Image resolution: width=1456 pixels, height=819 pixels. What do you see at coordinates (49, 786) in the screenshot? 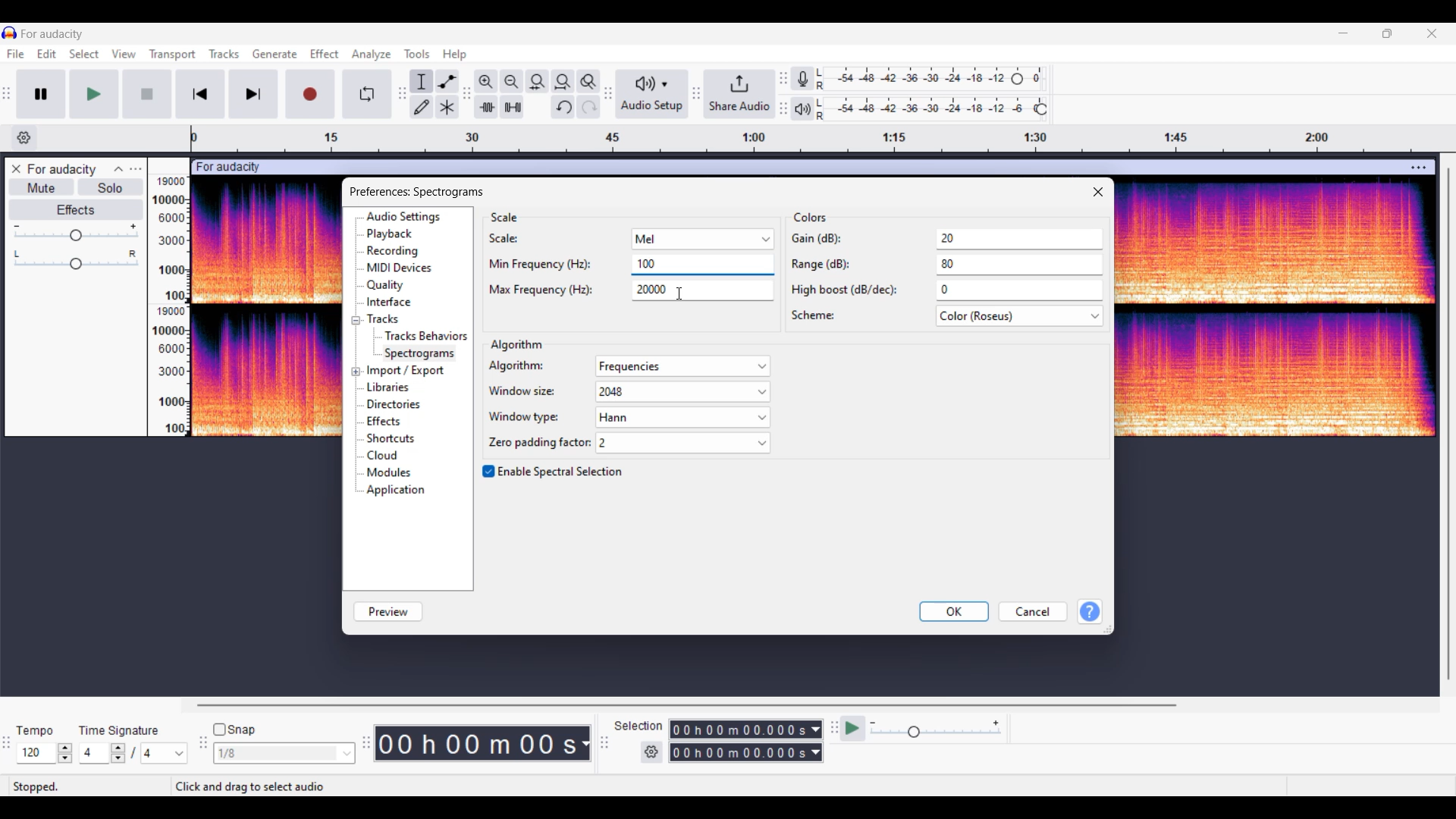
I see `stopped` at bounding box center [49, 786].